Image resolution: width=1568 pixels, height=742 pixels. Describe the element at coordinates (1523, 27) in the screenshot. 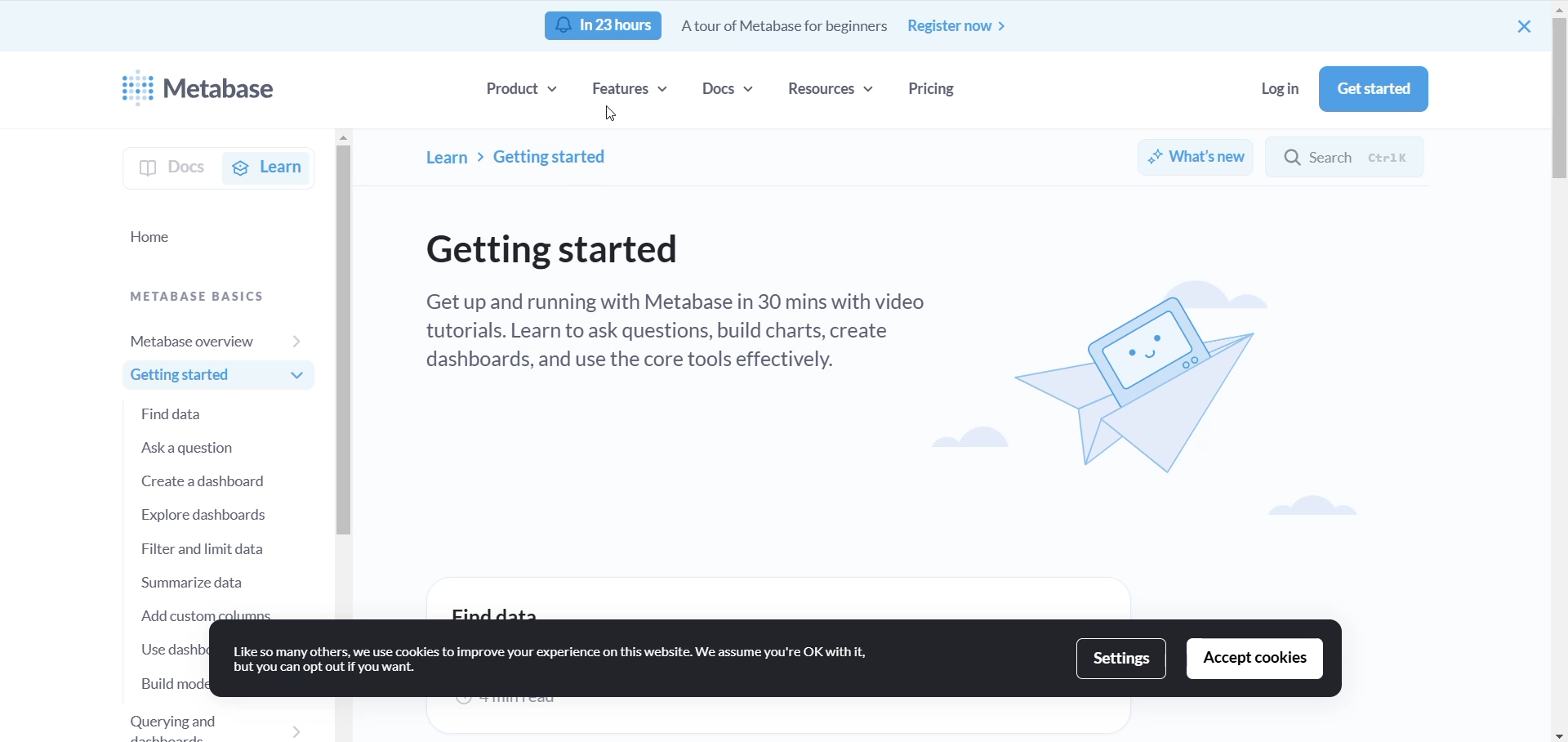

I see `close` at that location.